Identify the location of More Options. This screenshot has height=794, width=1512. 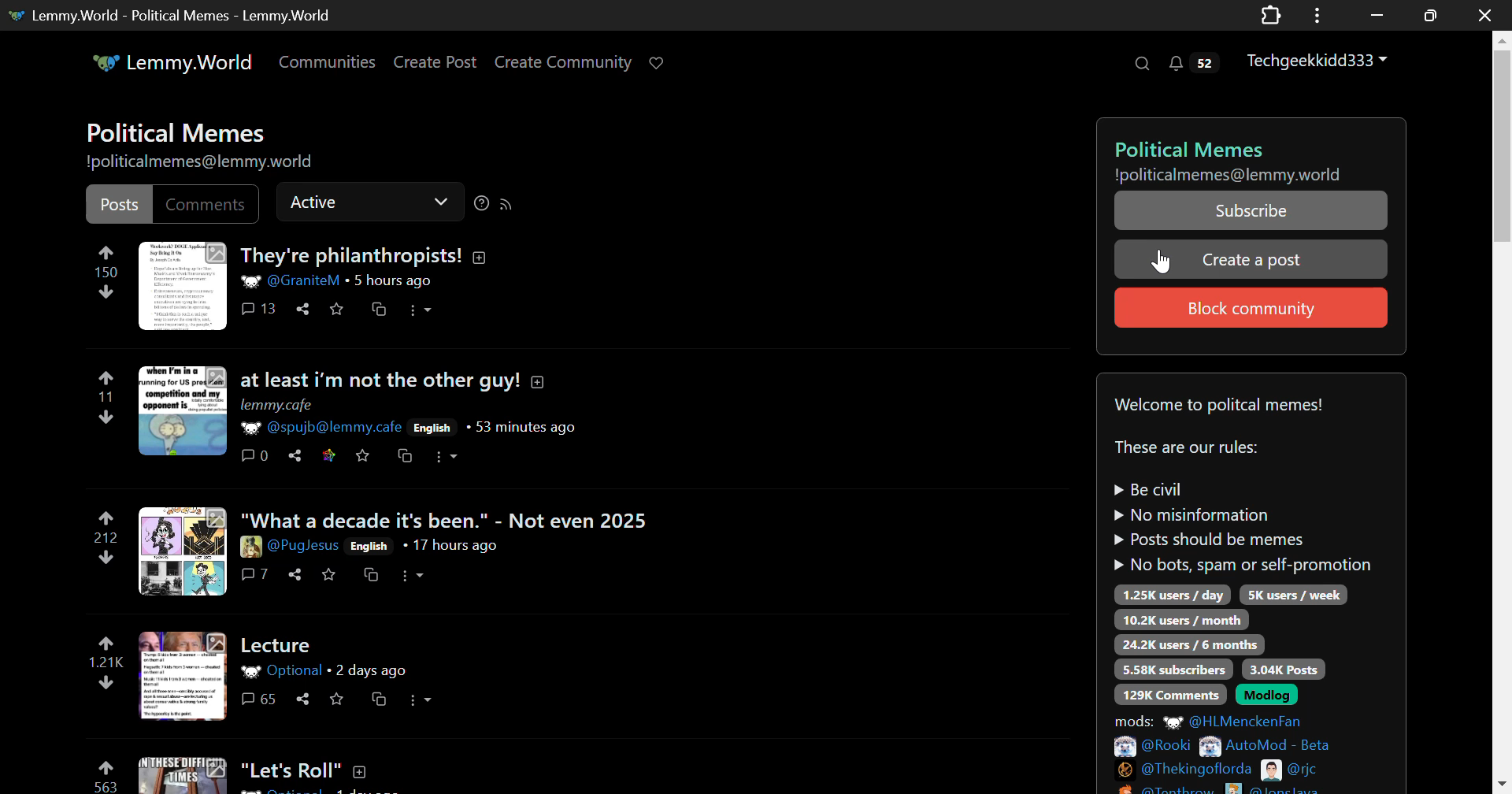
(413, 575).